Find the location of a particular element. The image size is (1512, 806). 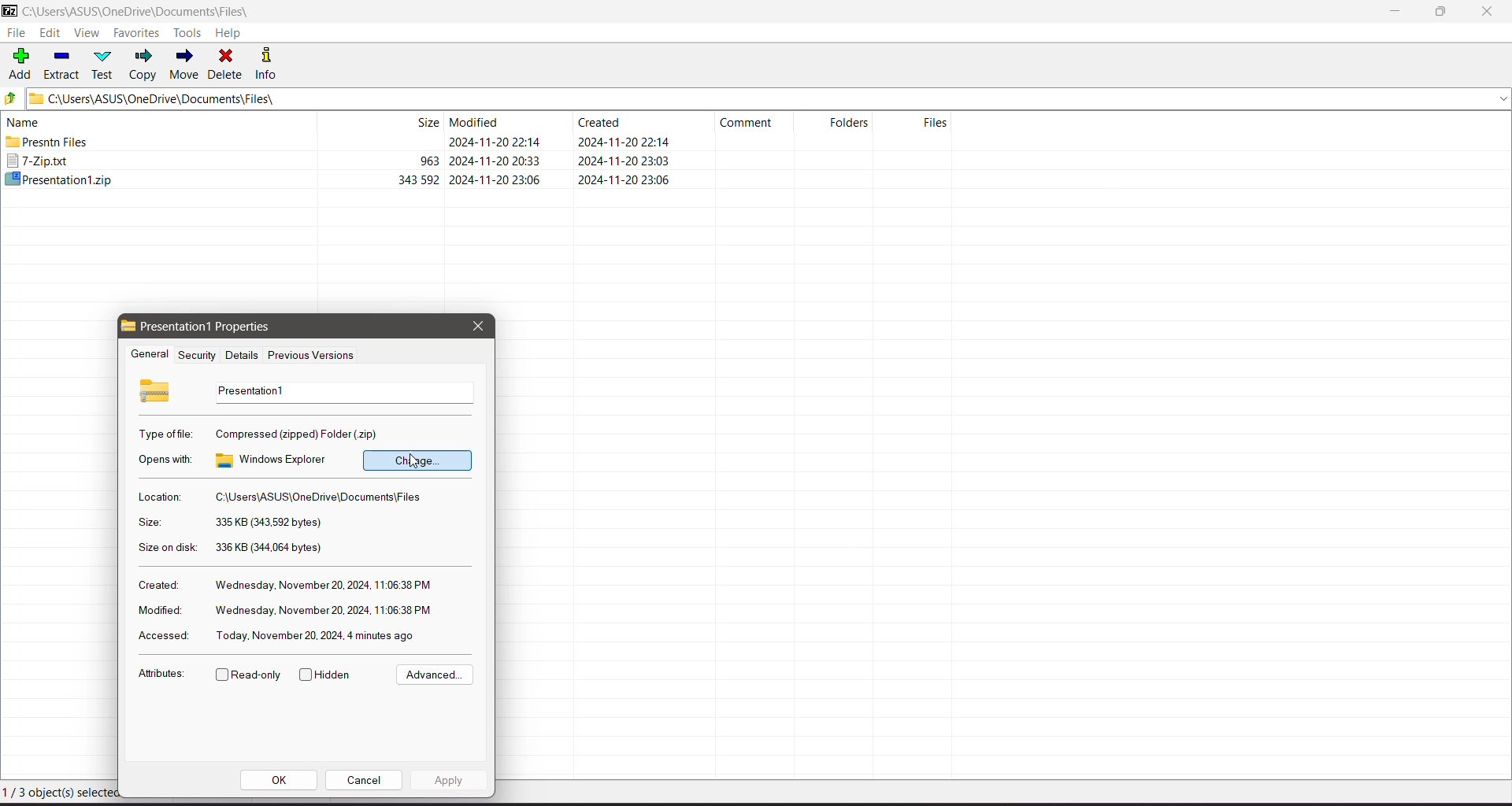

Minimize is located at coordinates (1395, 12).